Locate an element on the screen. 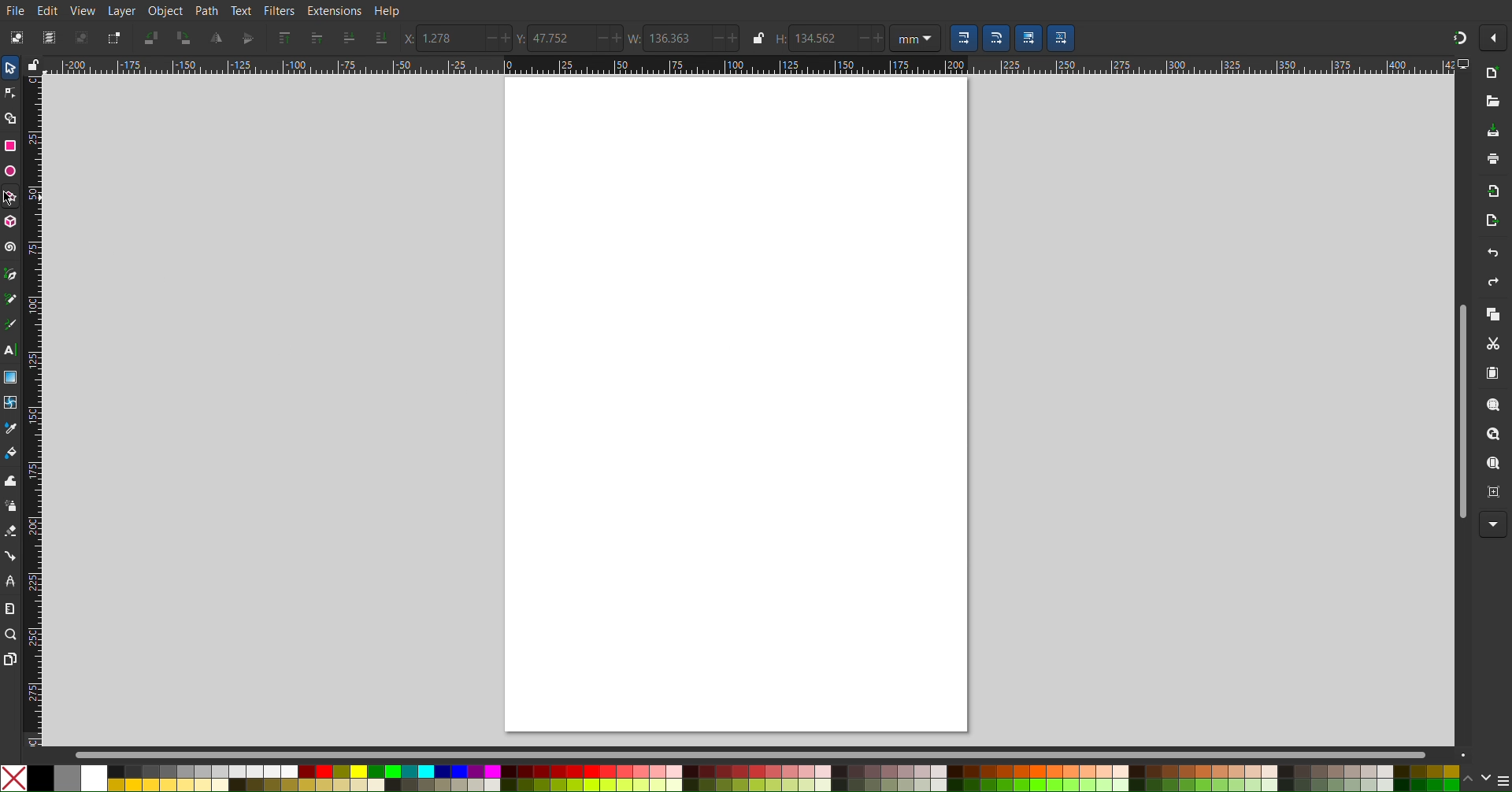 The width and height of the screenshot is (1512, 792). More Options is located at coordinates (1494, 524).